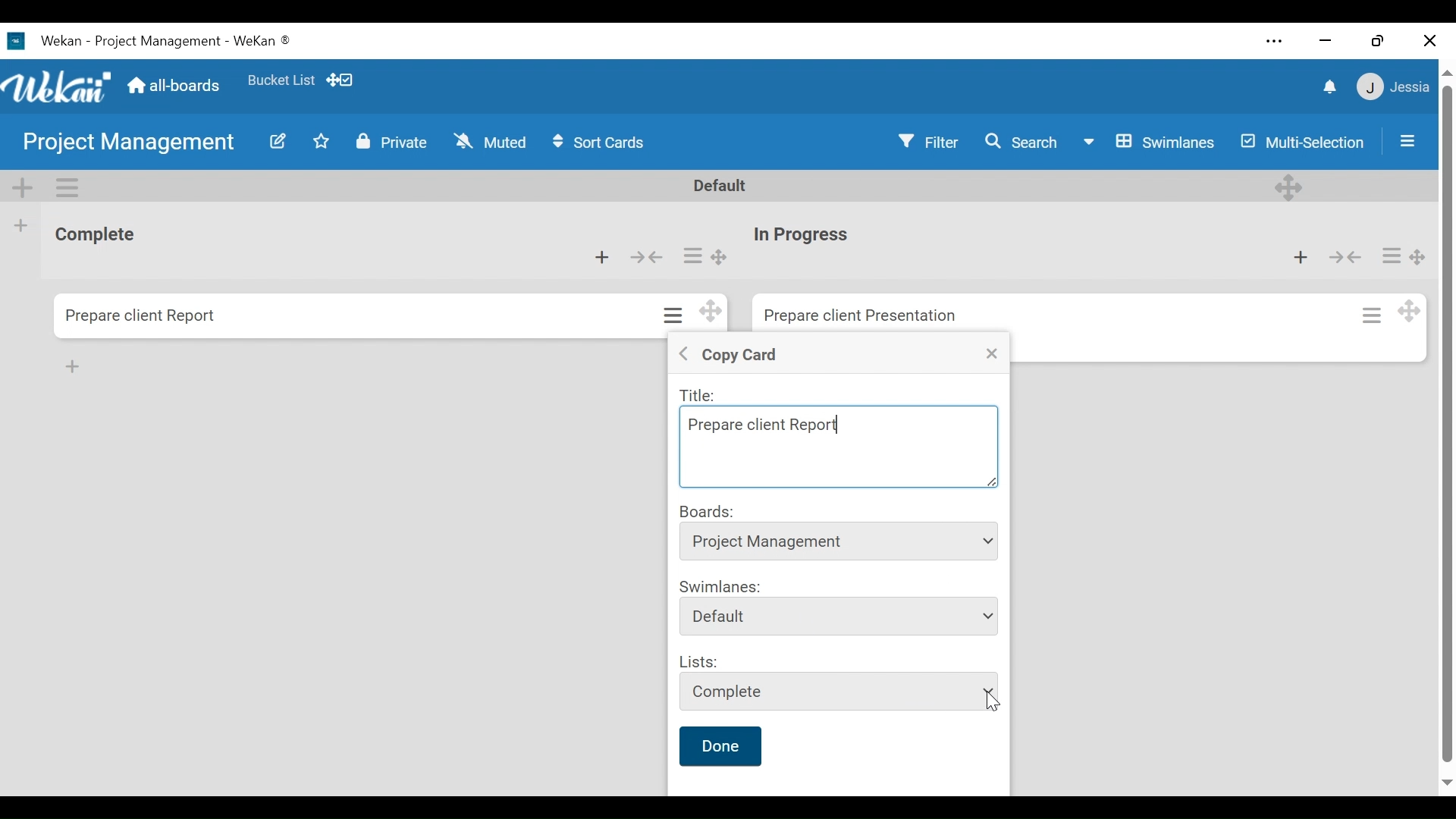 The width and height of the screenshot is (1456, 819). I want to click on Collapse, so click(1353, 257).